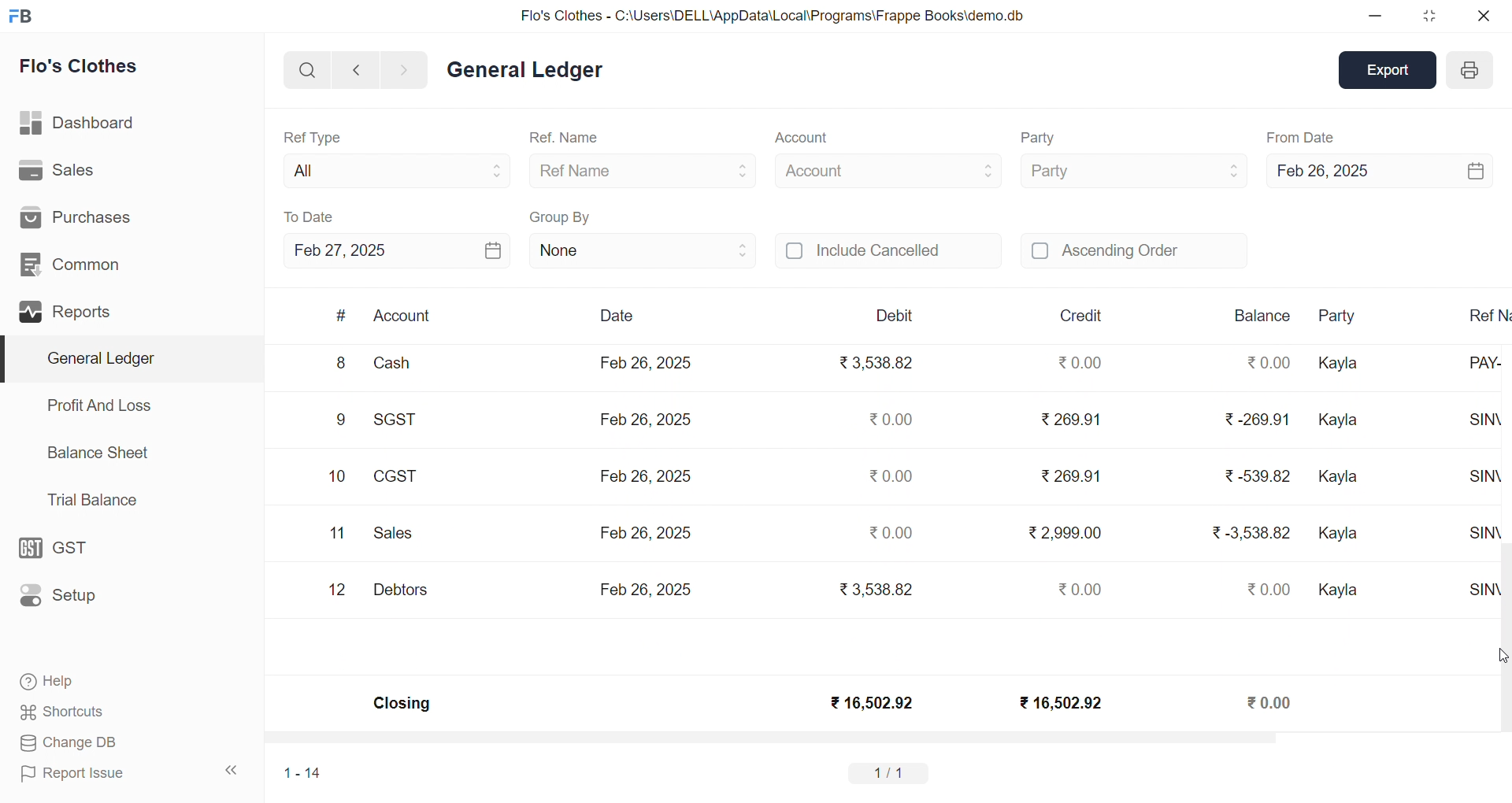 The width and height of the screenshot is (1512, 803). Describe the element at coordinates (646, 362) in the screenshot. I see `Feb 26, 2025` at that location.